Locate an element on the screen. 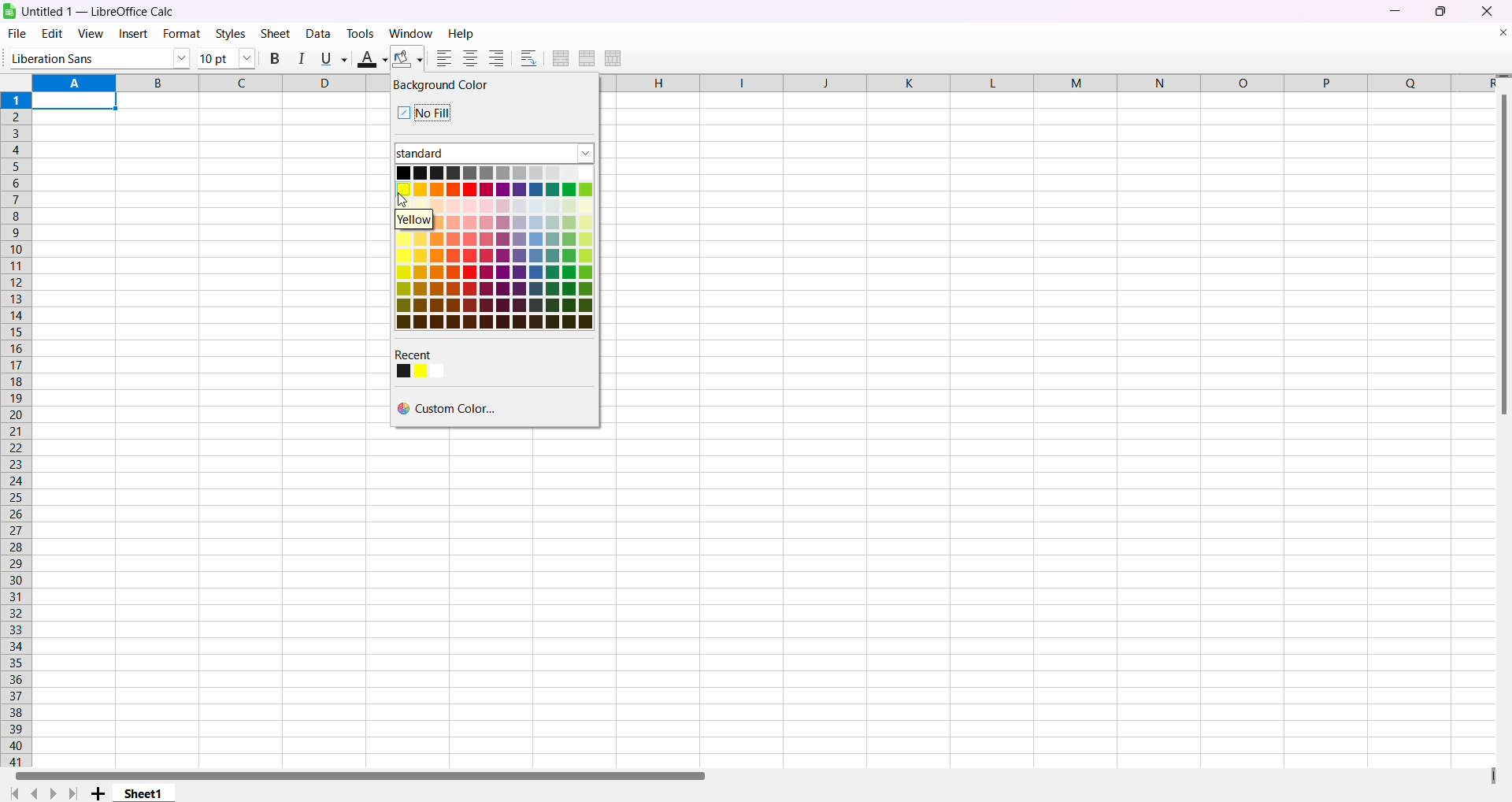 The image size is (1512, 802). add sheet is located at coordinates (98, 792).